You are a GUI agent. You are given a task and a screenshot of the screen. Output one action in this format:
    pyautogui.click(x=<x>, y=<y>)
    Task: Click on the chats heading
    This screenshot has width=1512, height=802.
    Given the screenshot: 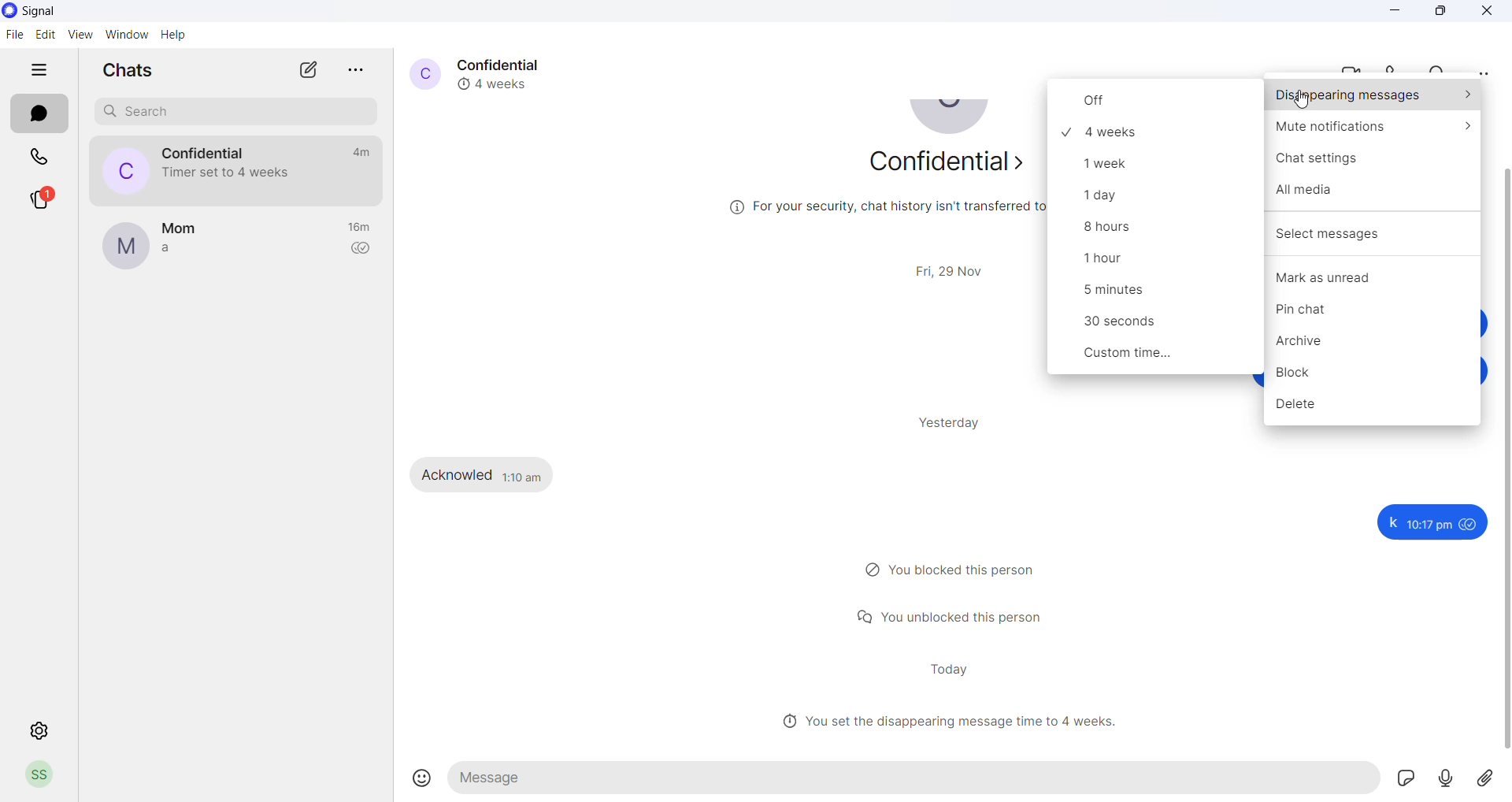 What is the action you would take?
    pyautogui.click(x=121, y=69)
    